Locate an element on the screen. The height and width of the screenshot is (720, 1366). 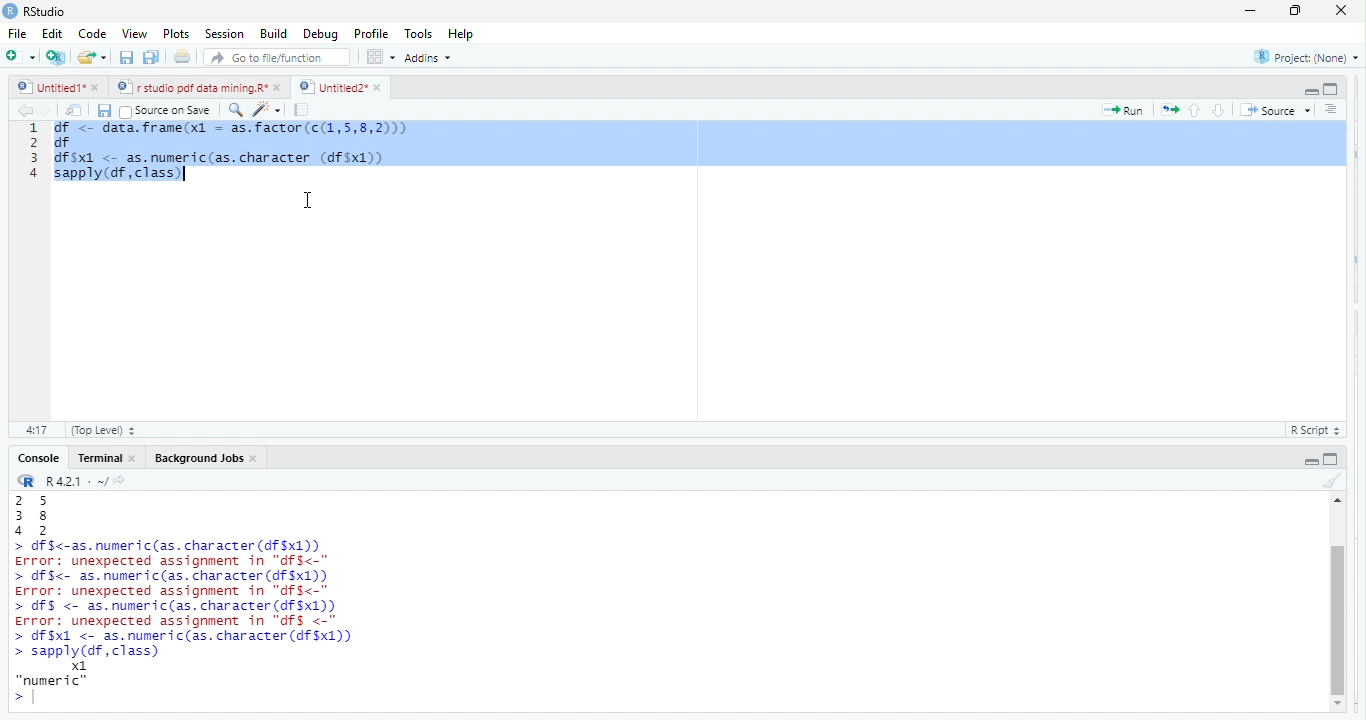
Terminal is located at coordinates (100, 458).